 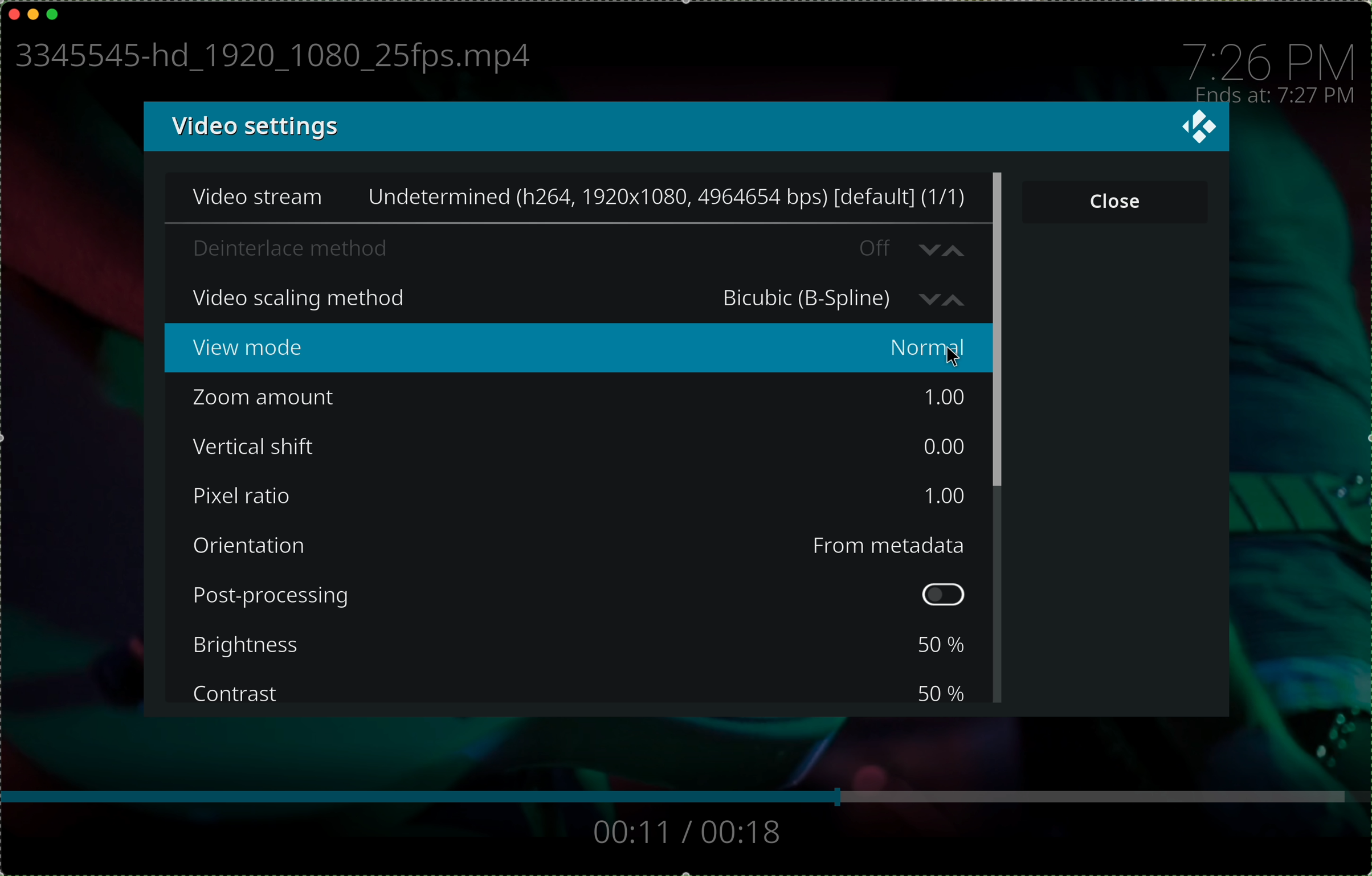 I want to click on scroll bar, so click(x=1000, y=437).